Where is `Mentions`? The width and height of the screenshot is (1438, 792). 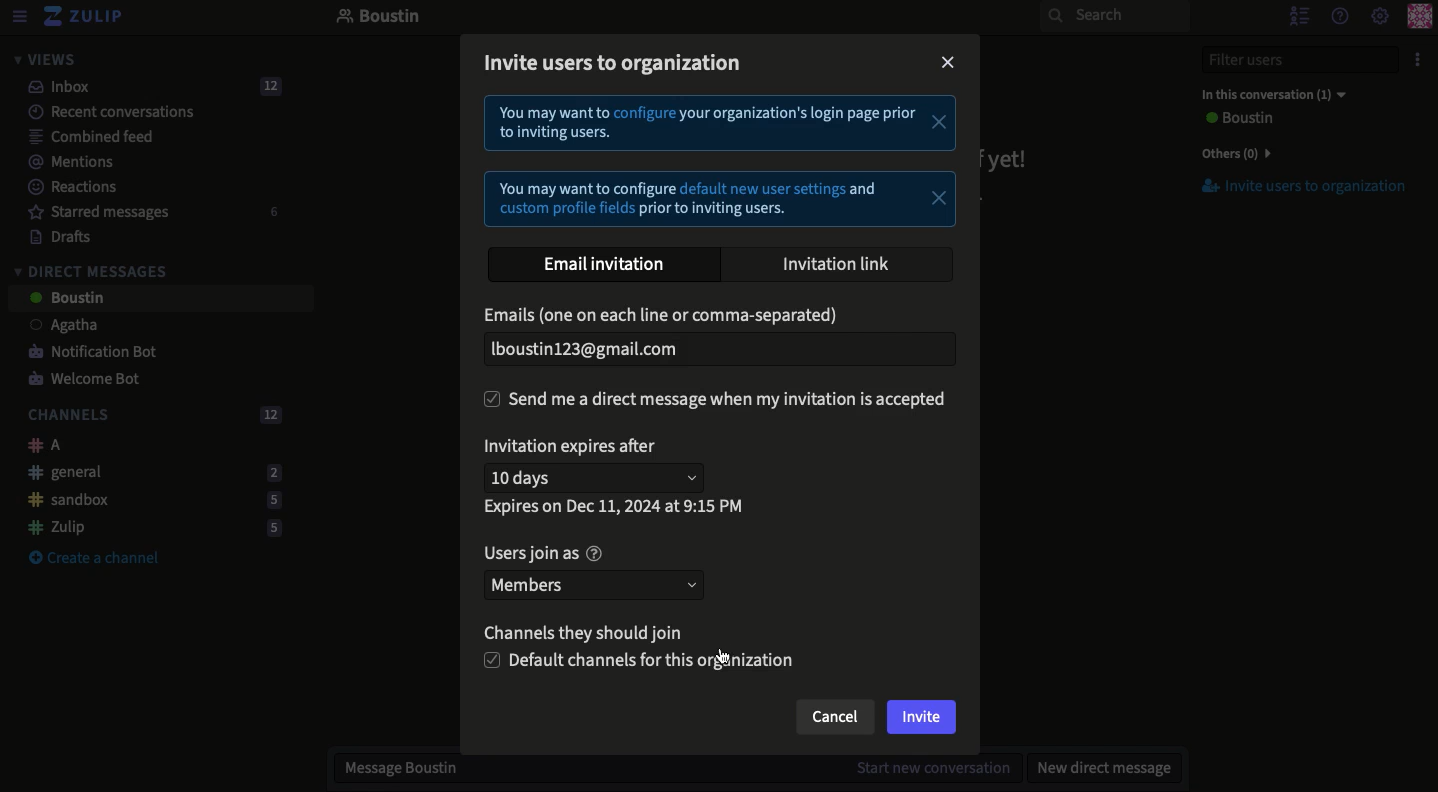 Mentions is located at coordinates (64, 162).